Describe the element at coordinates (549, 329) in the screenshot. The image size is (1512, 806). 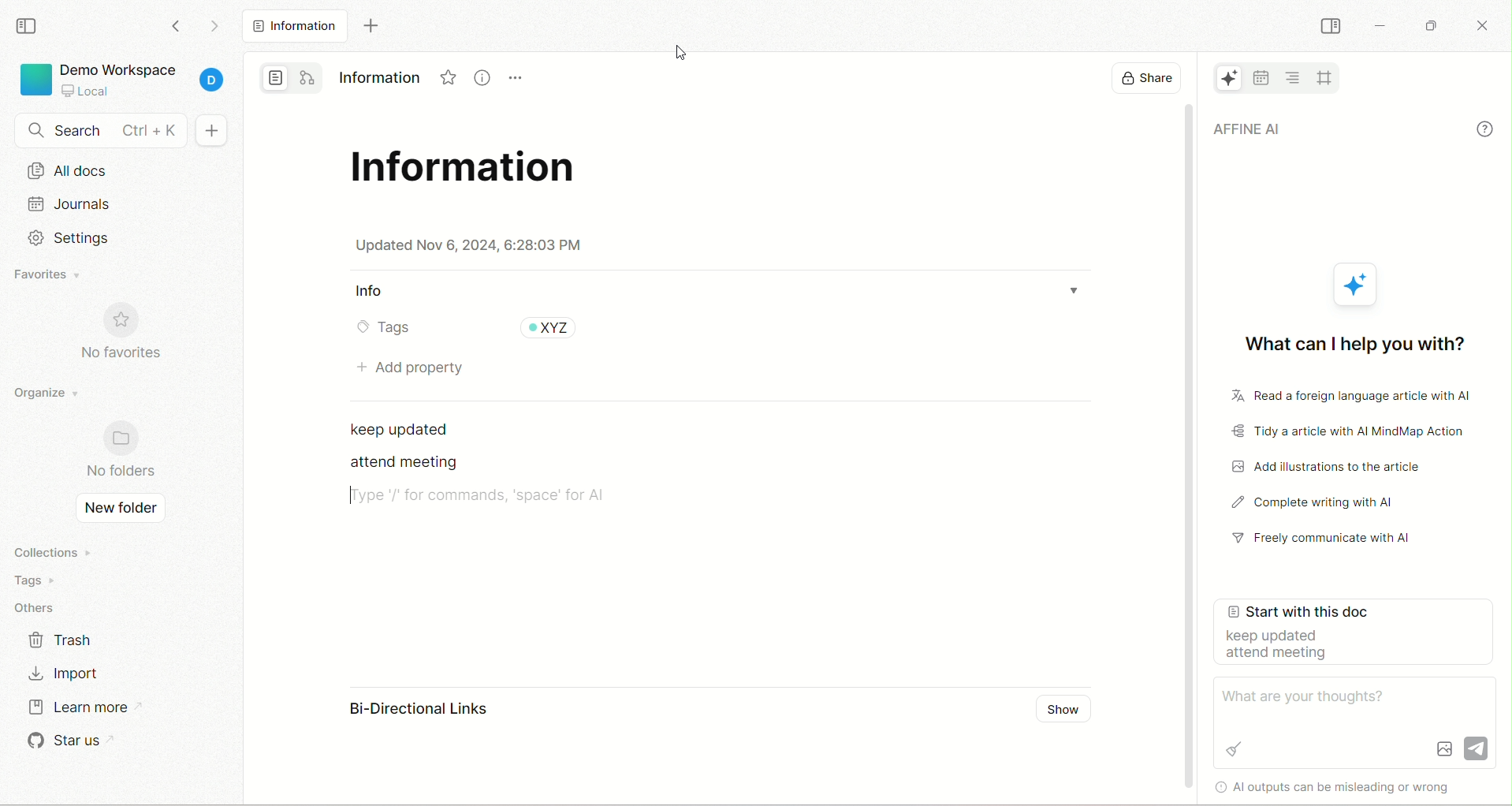
I see `XYZ` at that location.